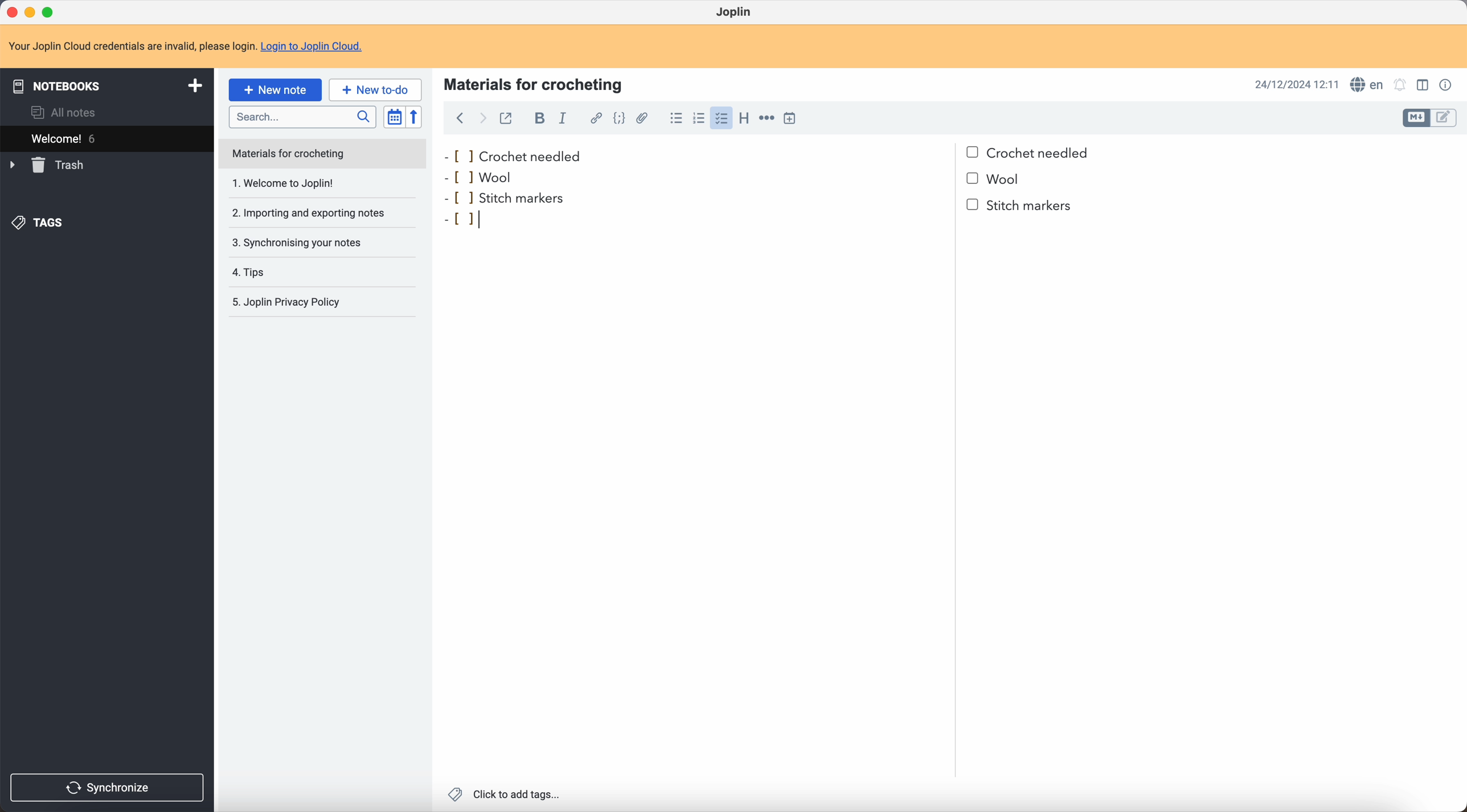  I want to click on wool, so click(495, 177).